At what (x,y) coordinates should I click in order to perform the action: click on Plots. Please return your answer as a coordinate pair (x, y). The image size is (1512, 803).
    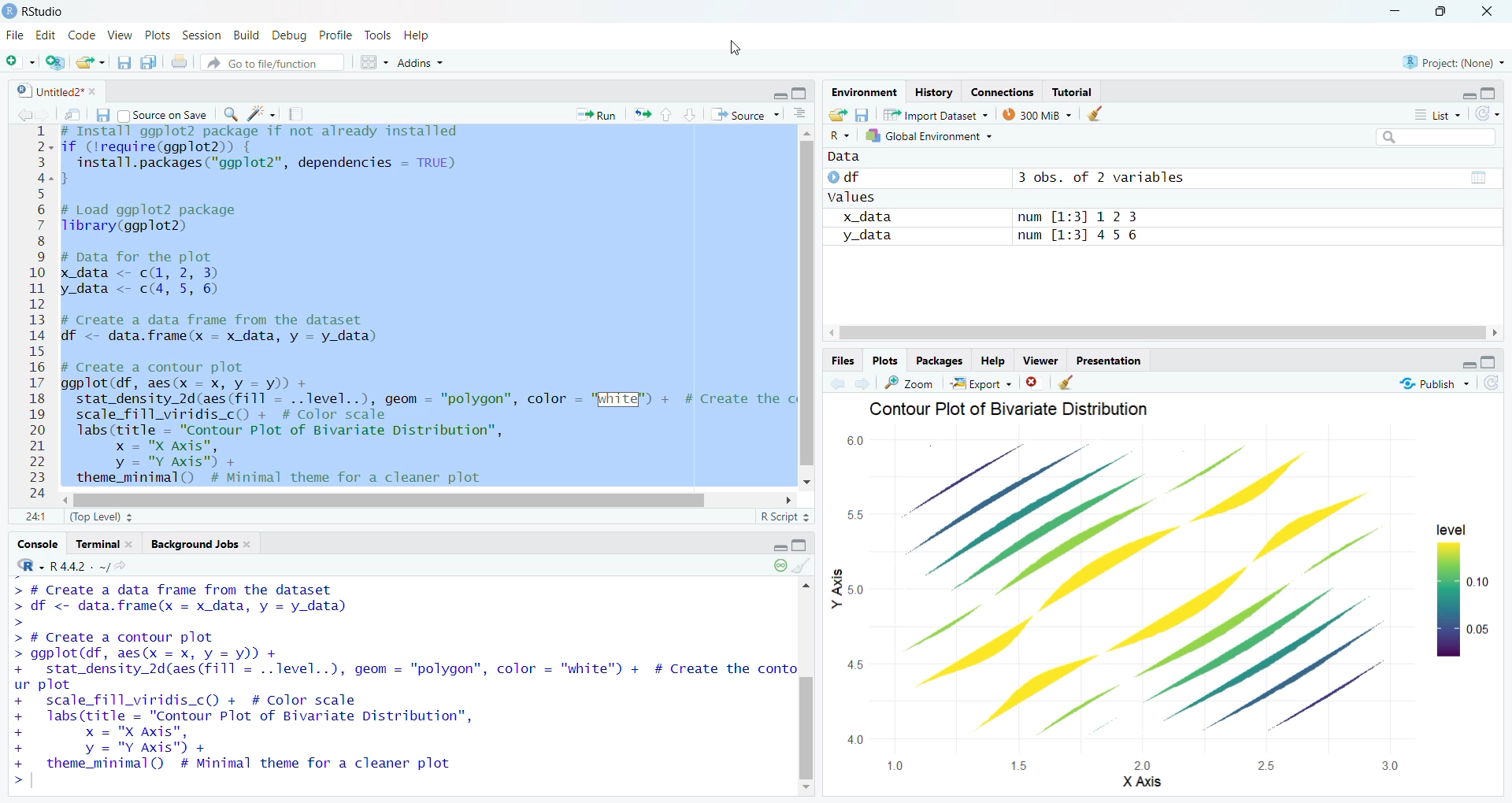
    Looking at the image, I should click on (883, 361).